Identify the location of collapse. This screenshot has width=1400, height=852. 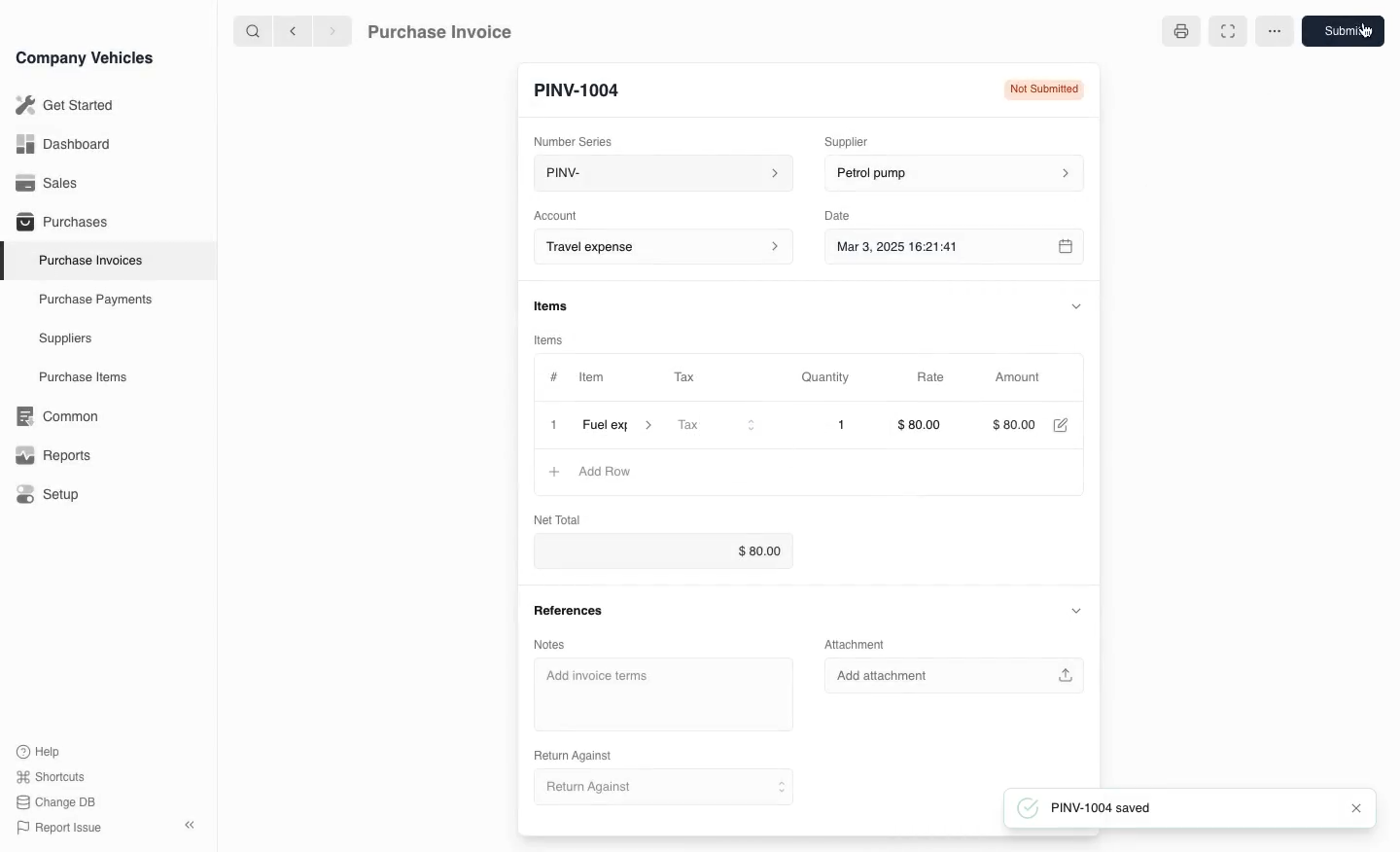
(1075, 611).